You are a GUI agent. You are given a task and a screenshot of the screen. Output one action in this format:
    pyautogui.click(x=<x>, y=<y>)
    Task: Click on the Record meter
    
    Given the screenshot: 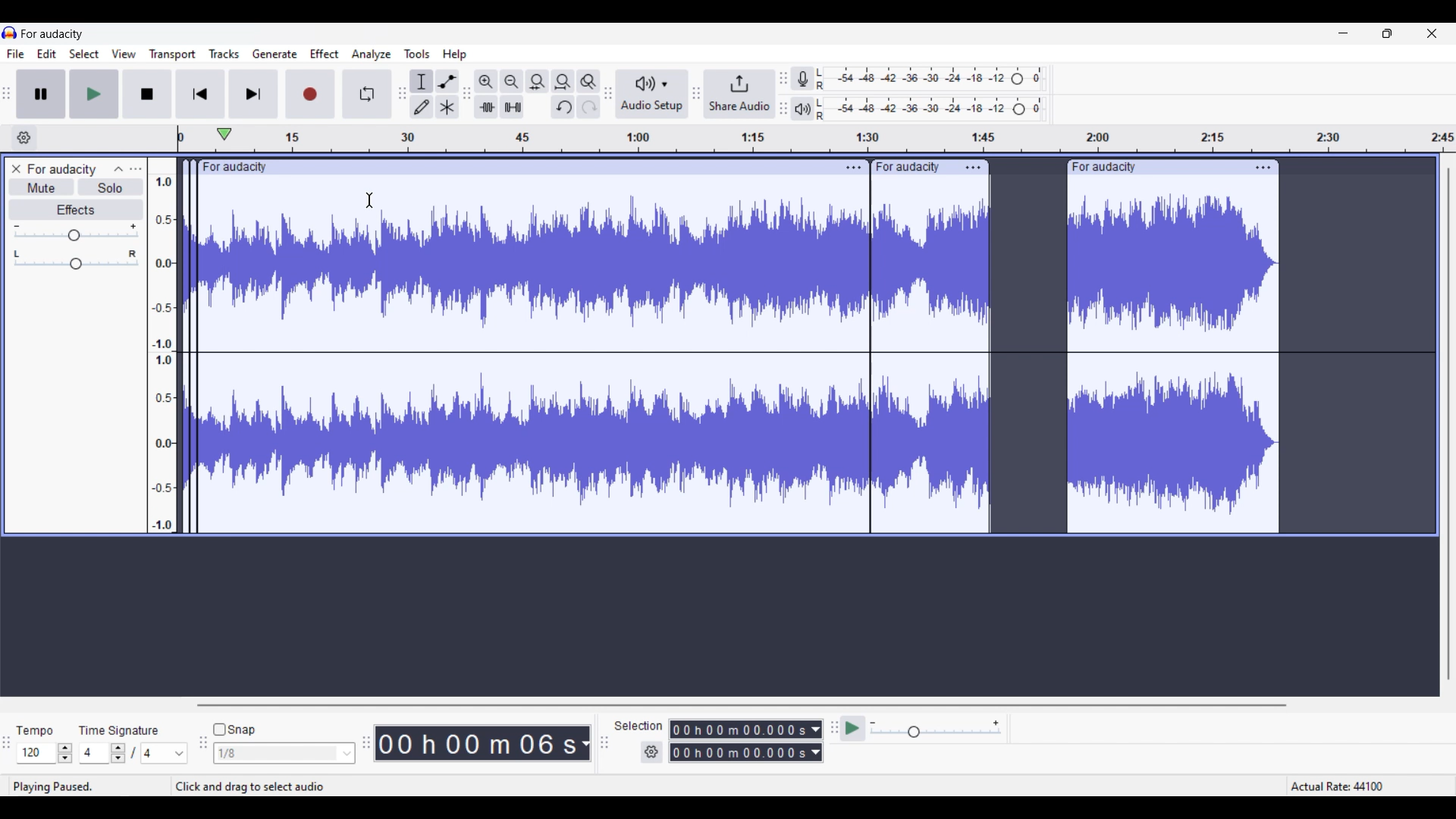 What is the action you would take?
    pyautogui.click(x=803, y=80)
    